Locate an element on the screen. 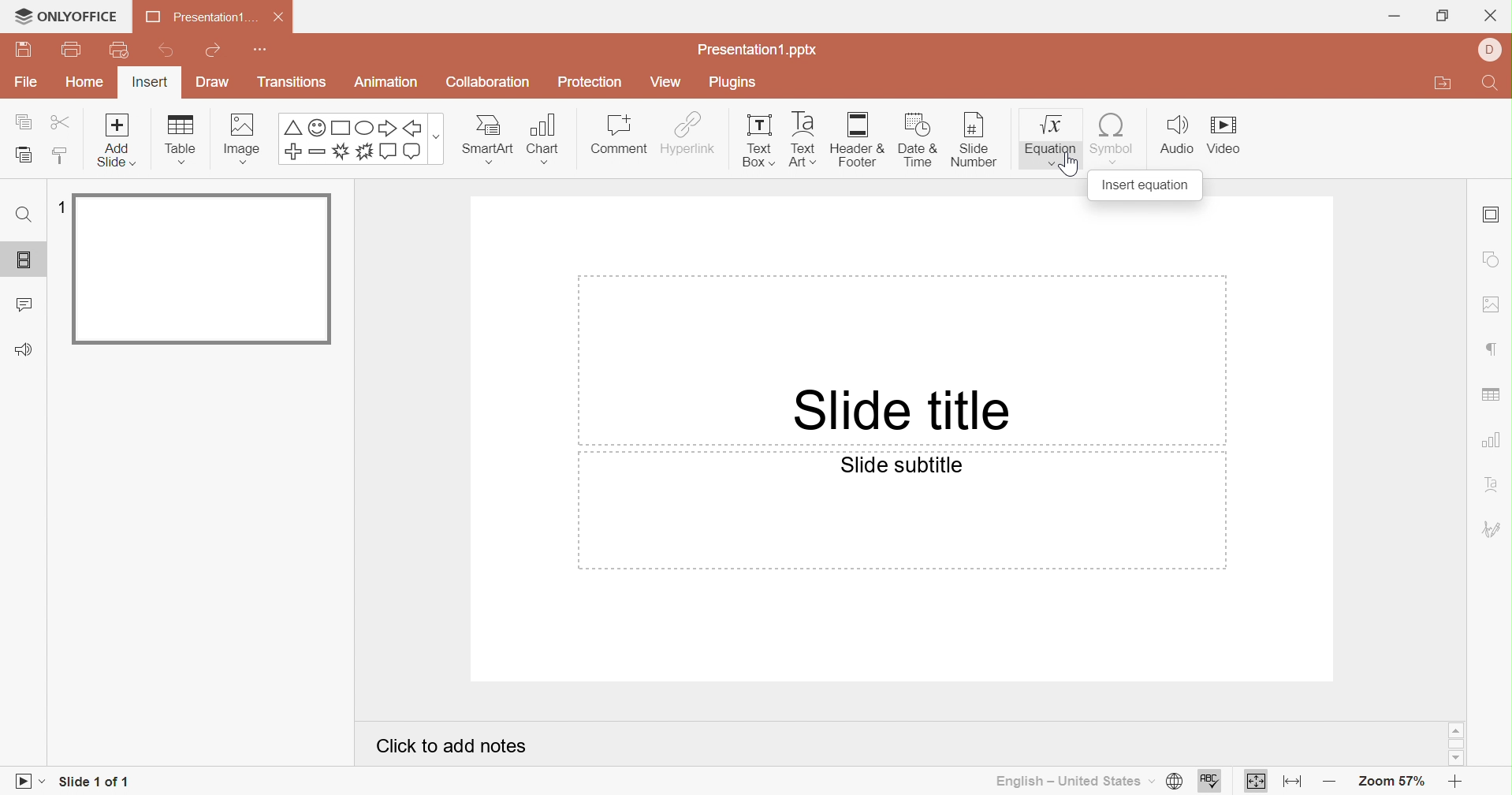  Home is located at coordinates (83, 84).